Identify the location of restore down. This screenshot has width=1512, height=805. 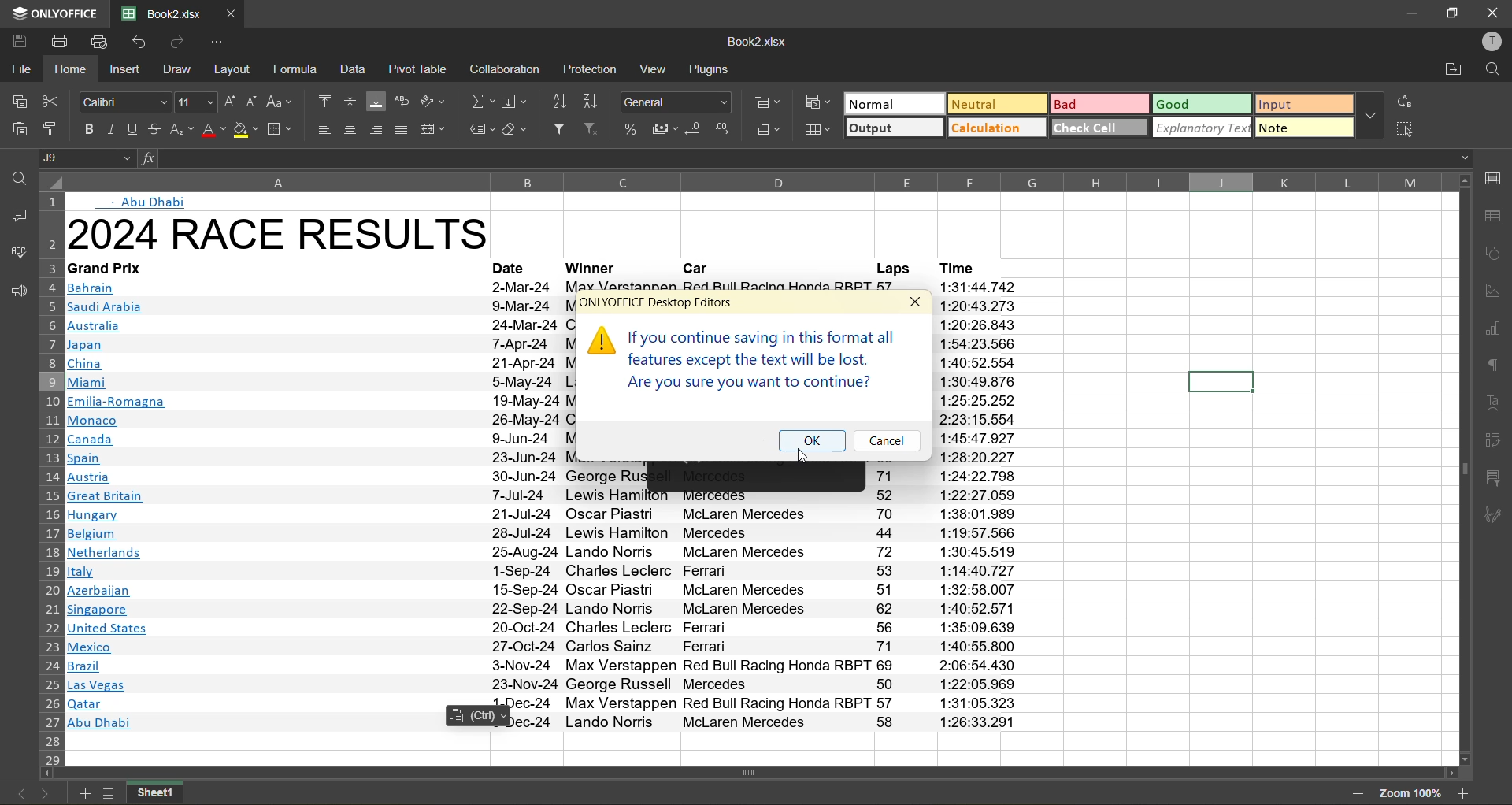
(1451, 13).